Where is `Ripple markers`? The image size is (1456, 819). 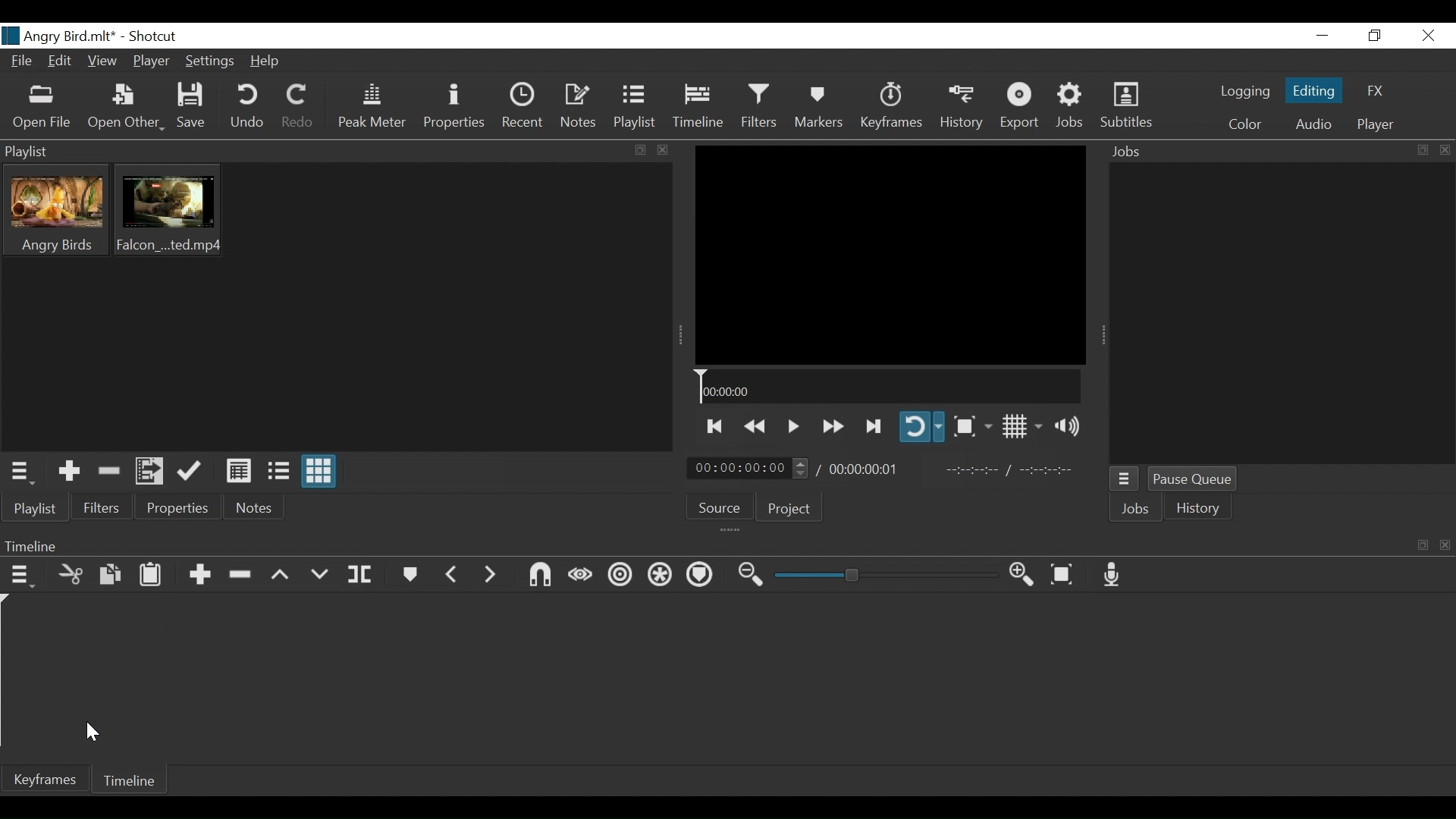
Ripple markers is located at coordinates (702, 576).